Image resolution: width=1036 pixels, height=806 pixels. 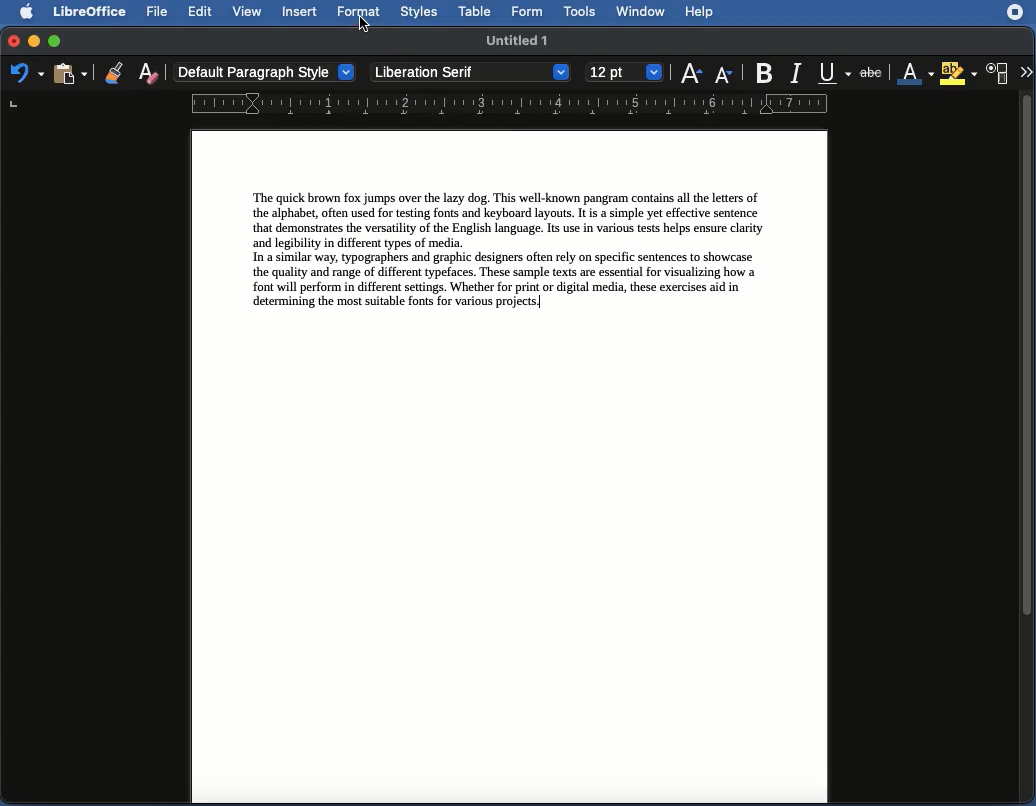 I want to click on Window, so click(x=640, y=12).